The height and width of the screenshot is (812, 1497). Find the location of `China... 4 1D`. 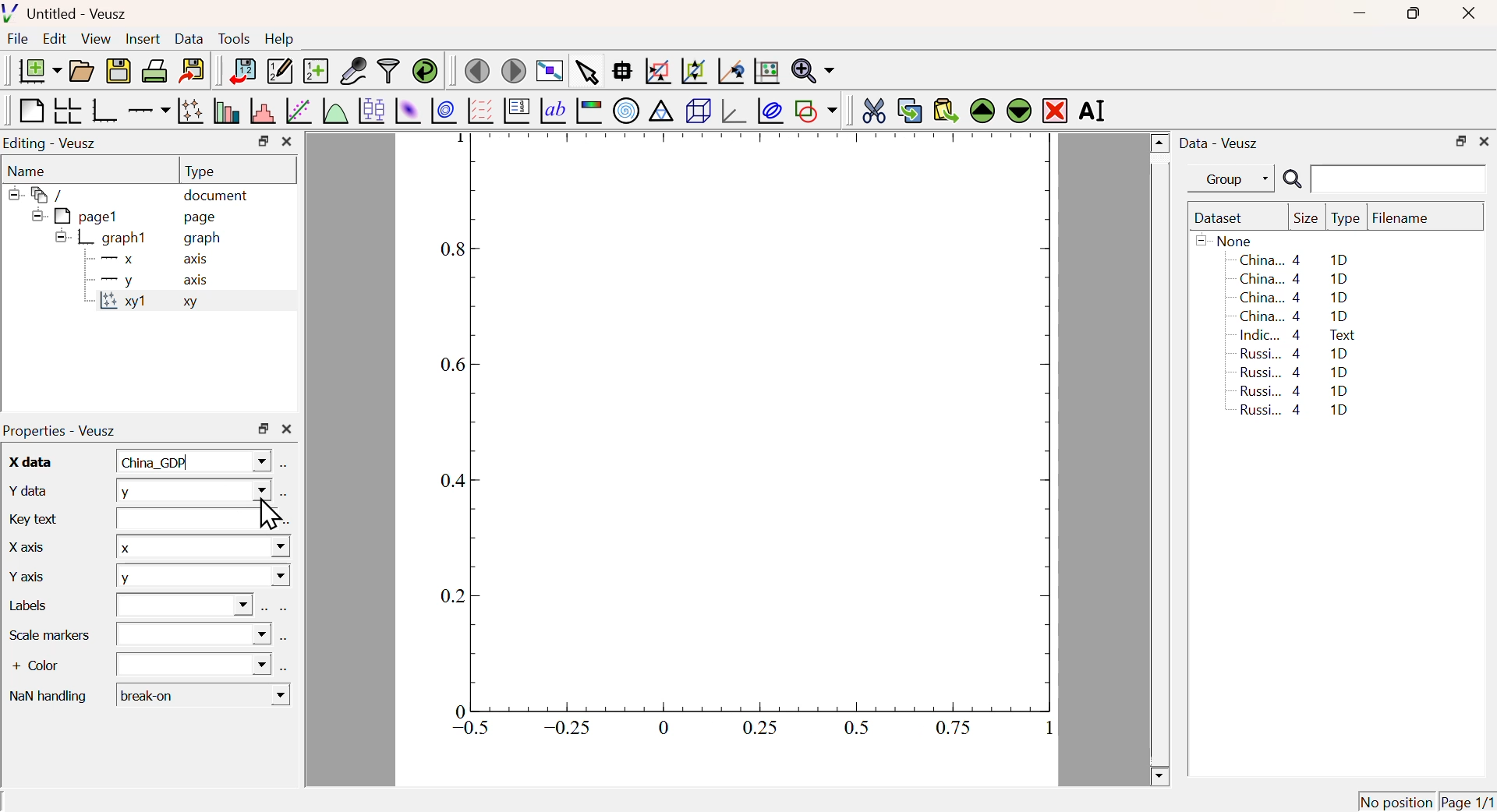

China... 4 1D is located at coordinates (1296, 298).